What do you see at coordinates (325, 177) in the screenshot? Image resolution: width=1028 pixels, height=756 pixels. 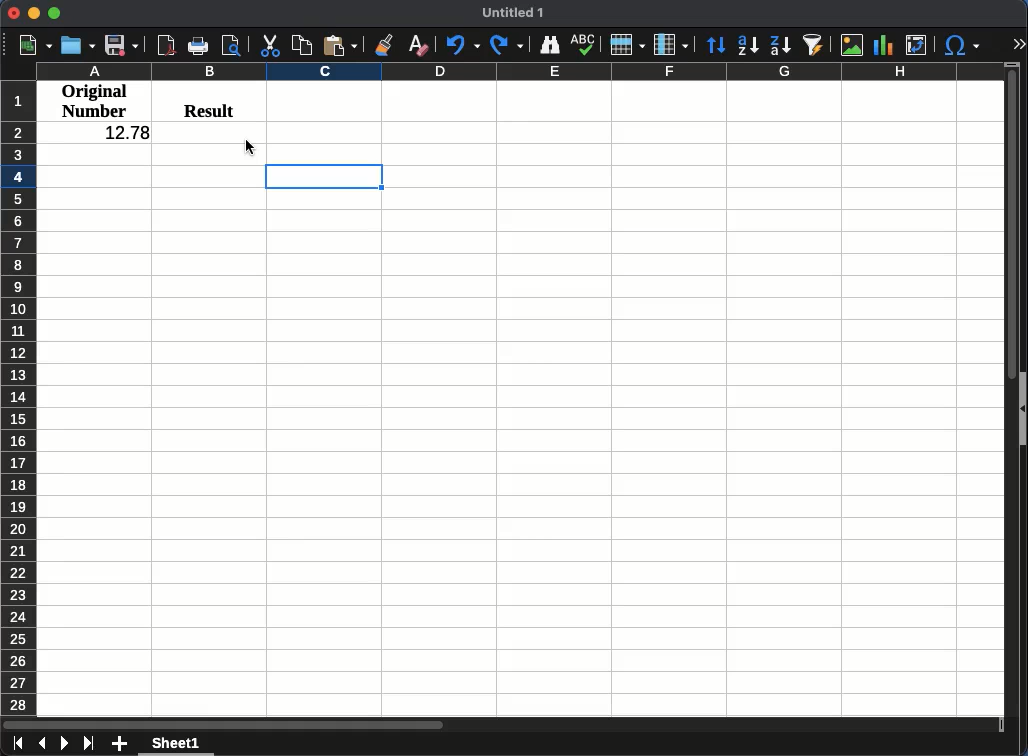 I see `active cell` at bounding box center [325, 177].